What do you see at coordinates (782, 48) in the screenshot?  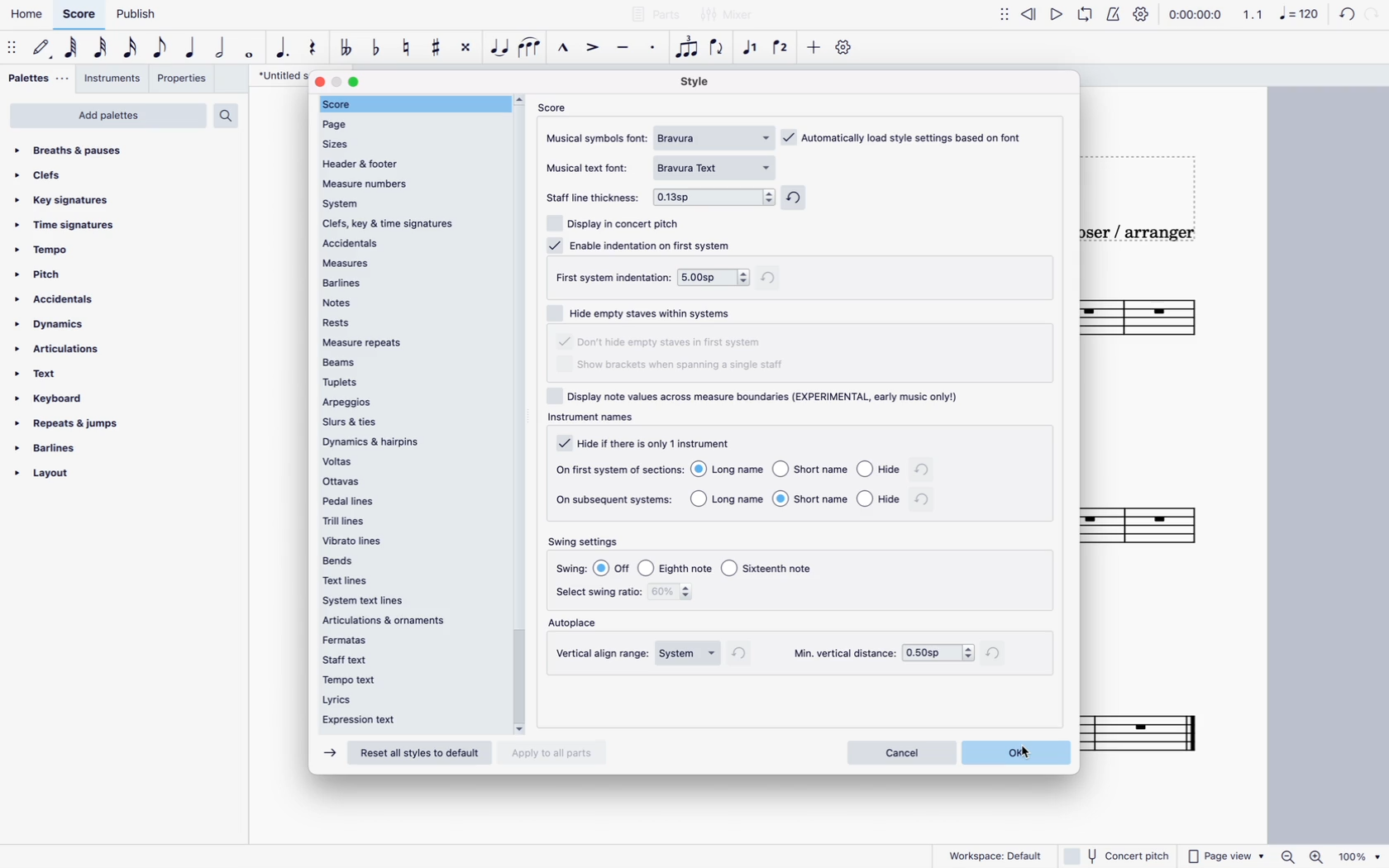 I see `voice 2` at bounding box center [782, 48].